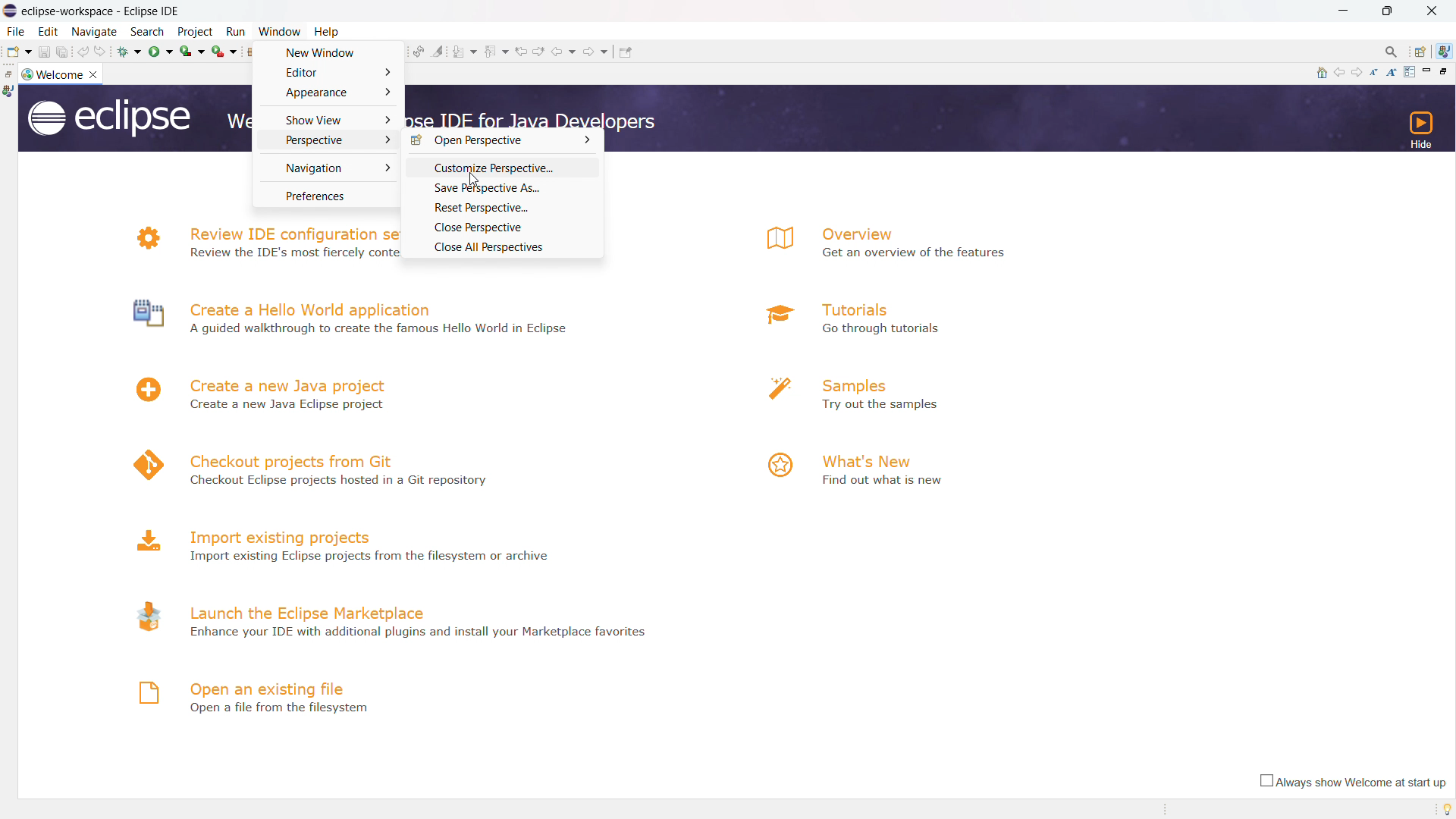  I want to click on save perspective as, so click(501, 188).